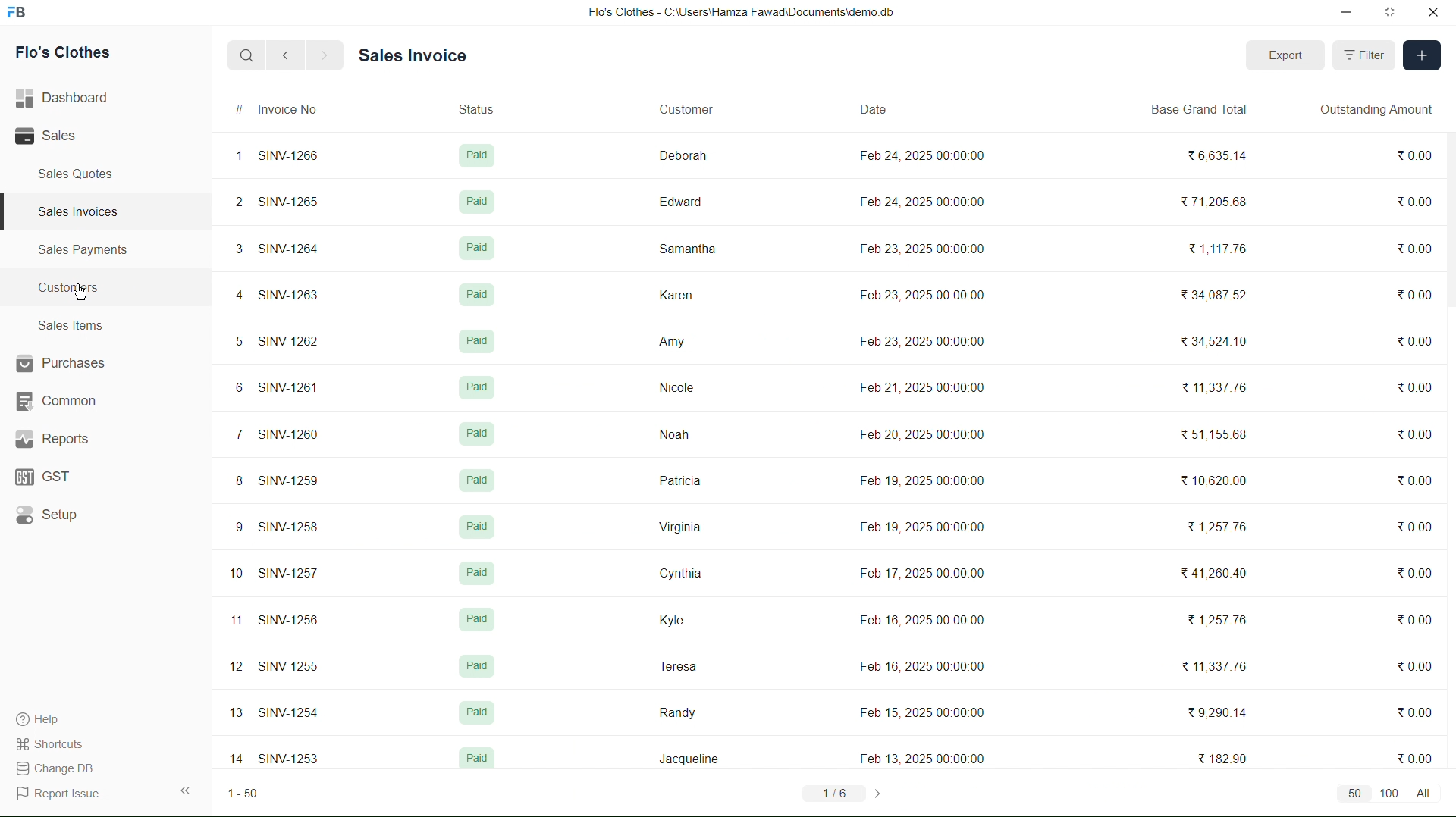 This screenshot has width=1456, height=817. Describe the element at coordinates (1417, 670) in the screenshot. I see `0.00` at that location.